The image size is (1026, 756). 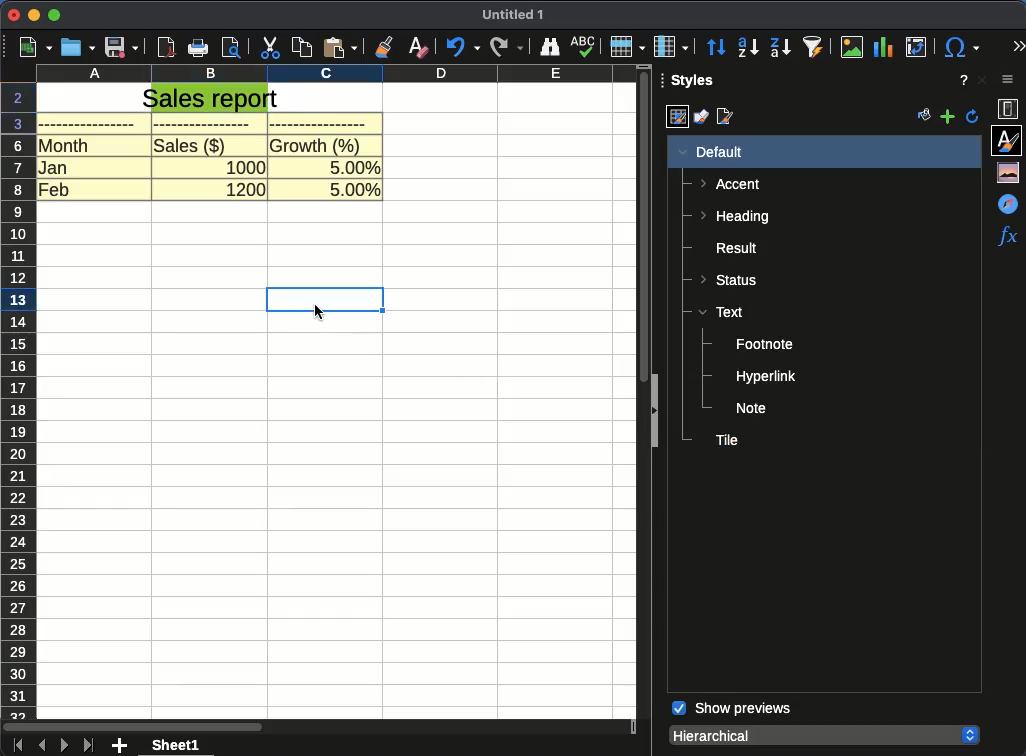 I want to click on add, so click(x=121, y=746).